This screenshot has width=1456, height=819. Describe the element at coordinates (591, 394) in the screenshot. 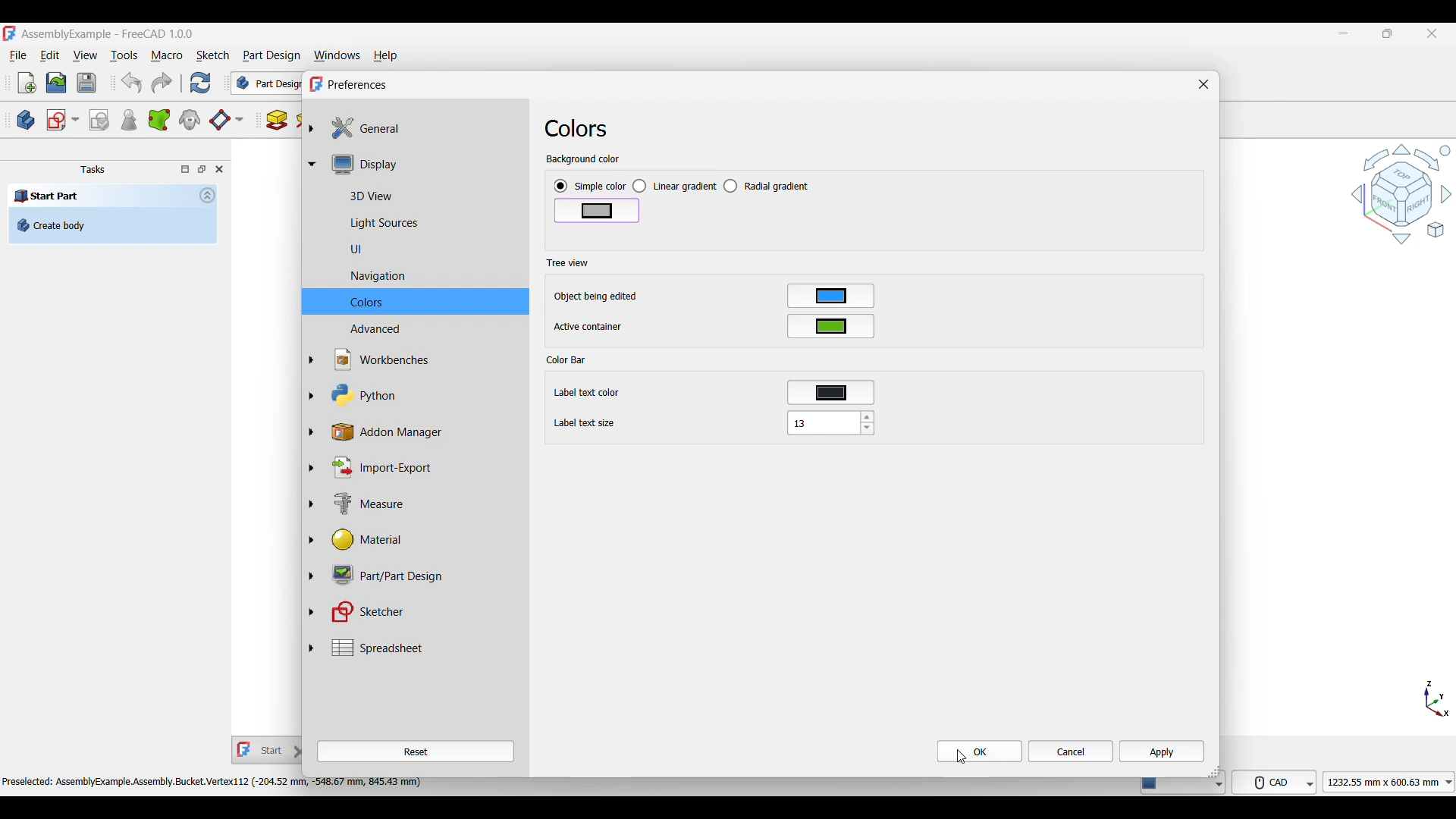

I see `Label text color` at that location.